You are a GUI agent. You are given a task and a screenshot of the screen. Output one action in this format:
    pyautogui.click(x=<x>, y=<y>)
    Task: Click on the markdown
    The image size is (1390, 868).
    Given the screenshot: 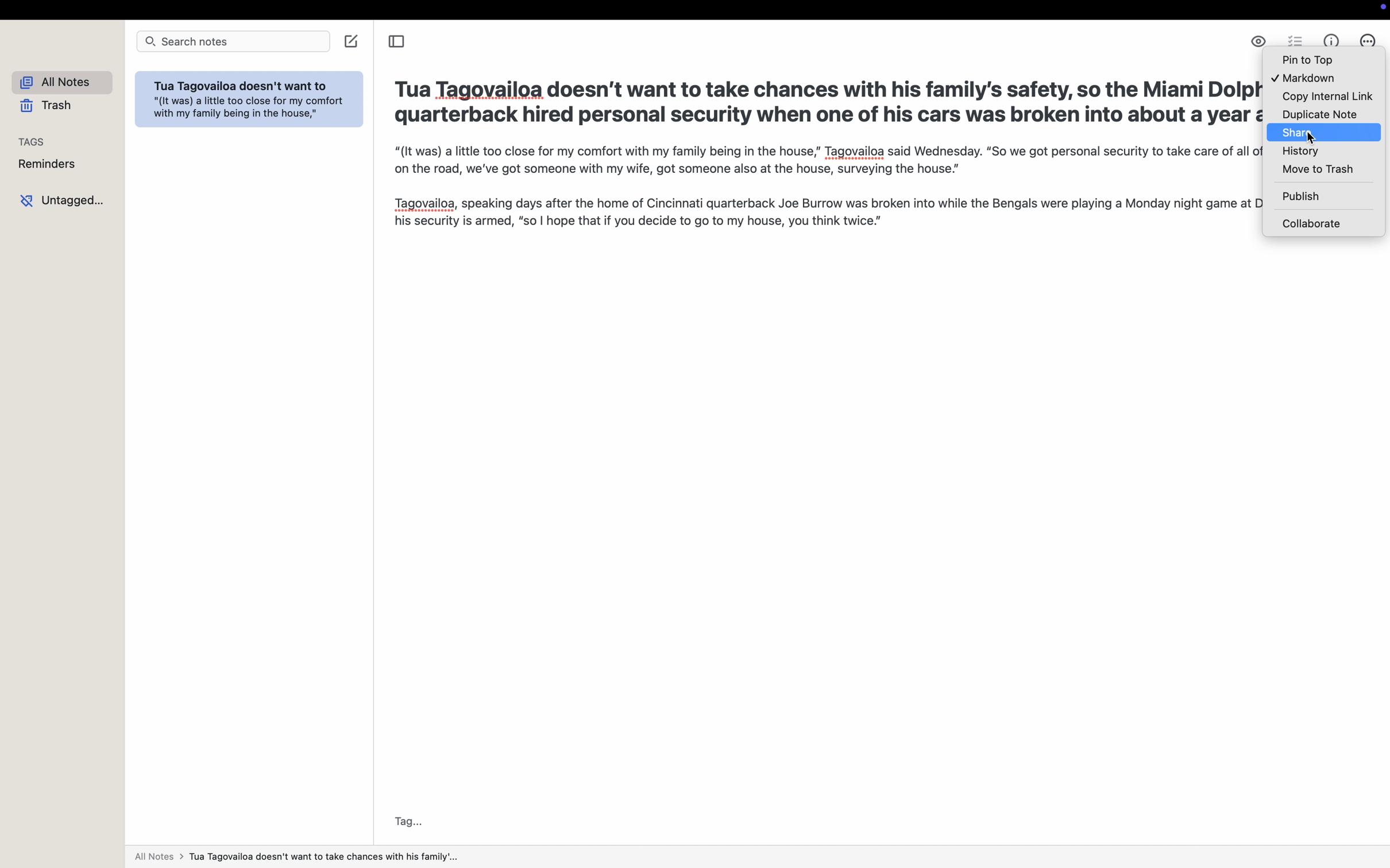 What is the action you would take?
    pyautogui.click(x=1308, y=80)
    